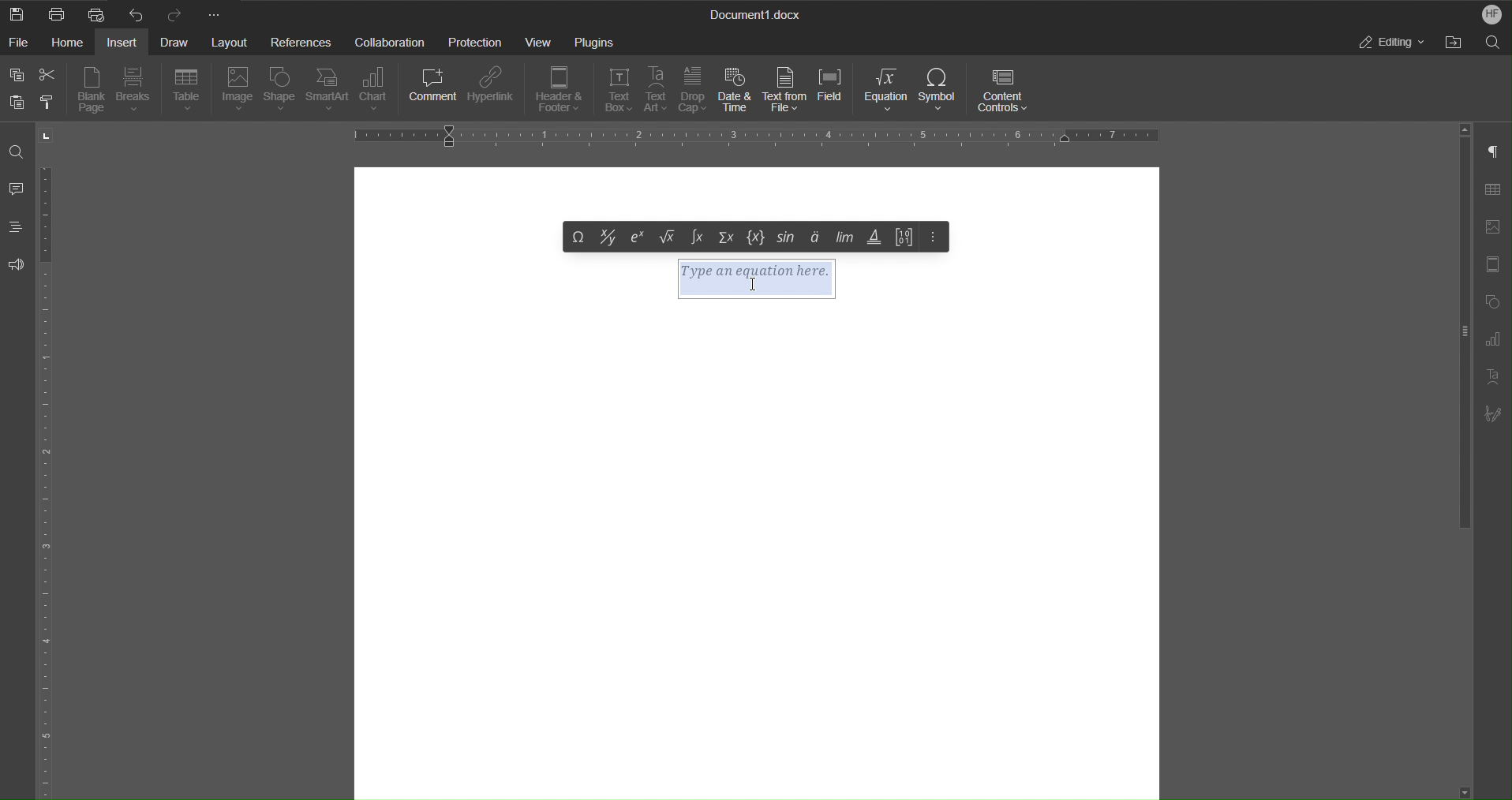 The image size is (1512, 800). Describe the element at coordinates (431, 91) in the screenshot. I see `Comment` at that location.